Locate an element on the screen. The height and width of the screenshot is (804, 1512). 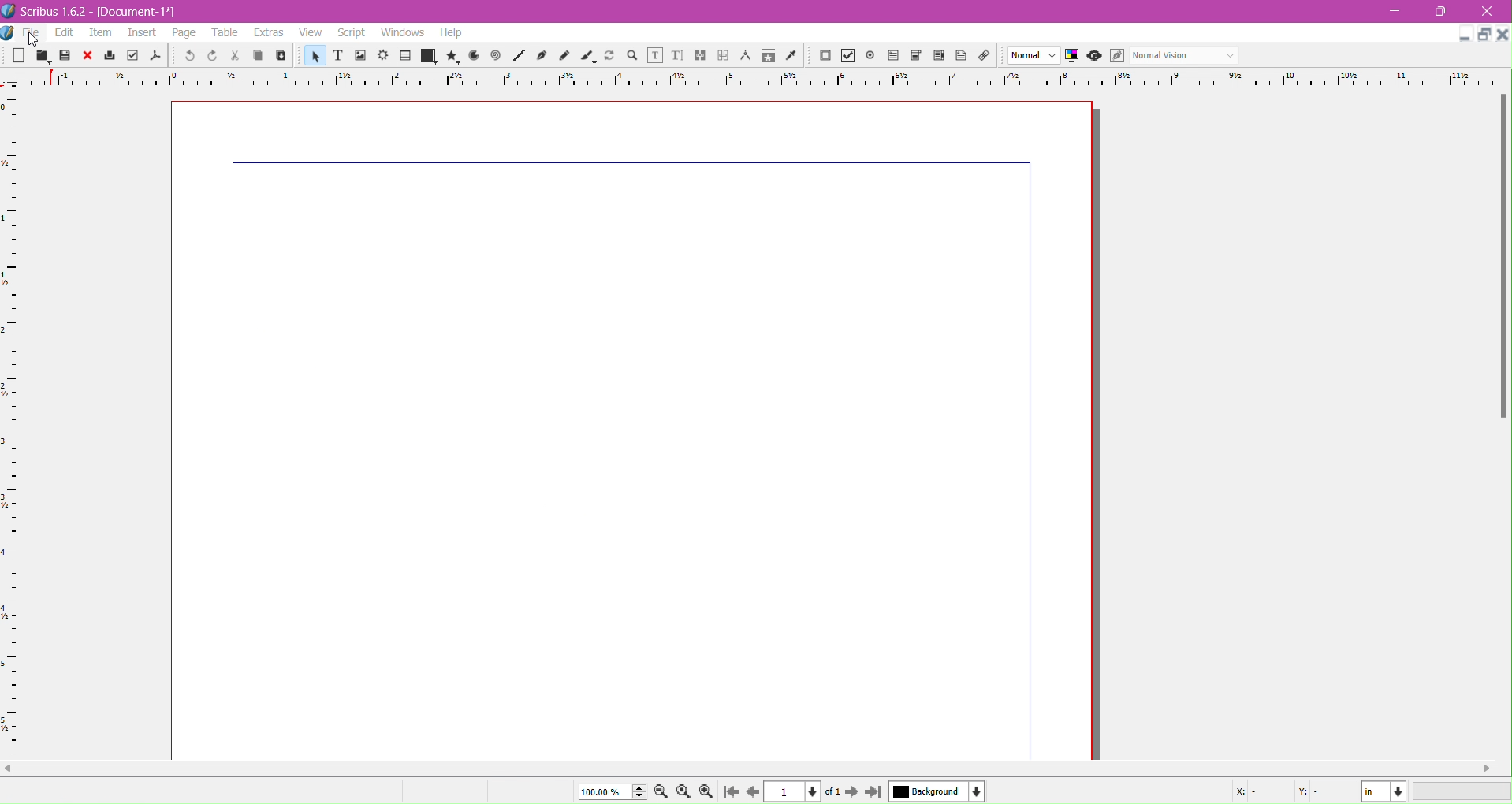
item menu is located at coordinates (102, 34).